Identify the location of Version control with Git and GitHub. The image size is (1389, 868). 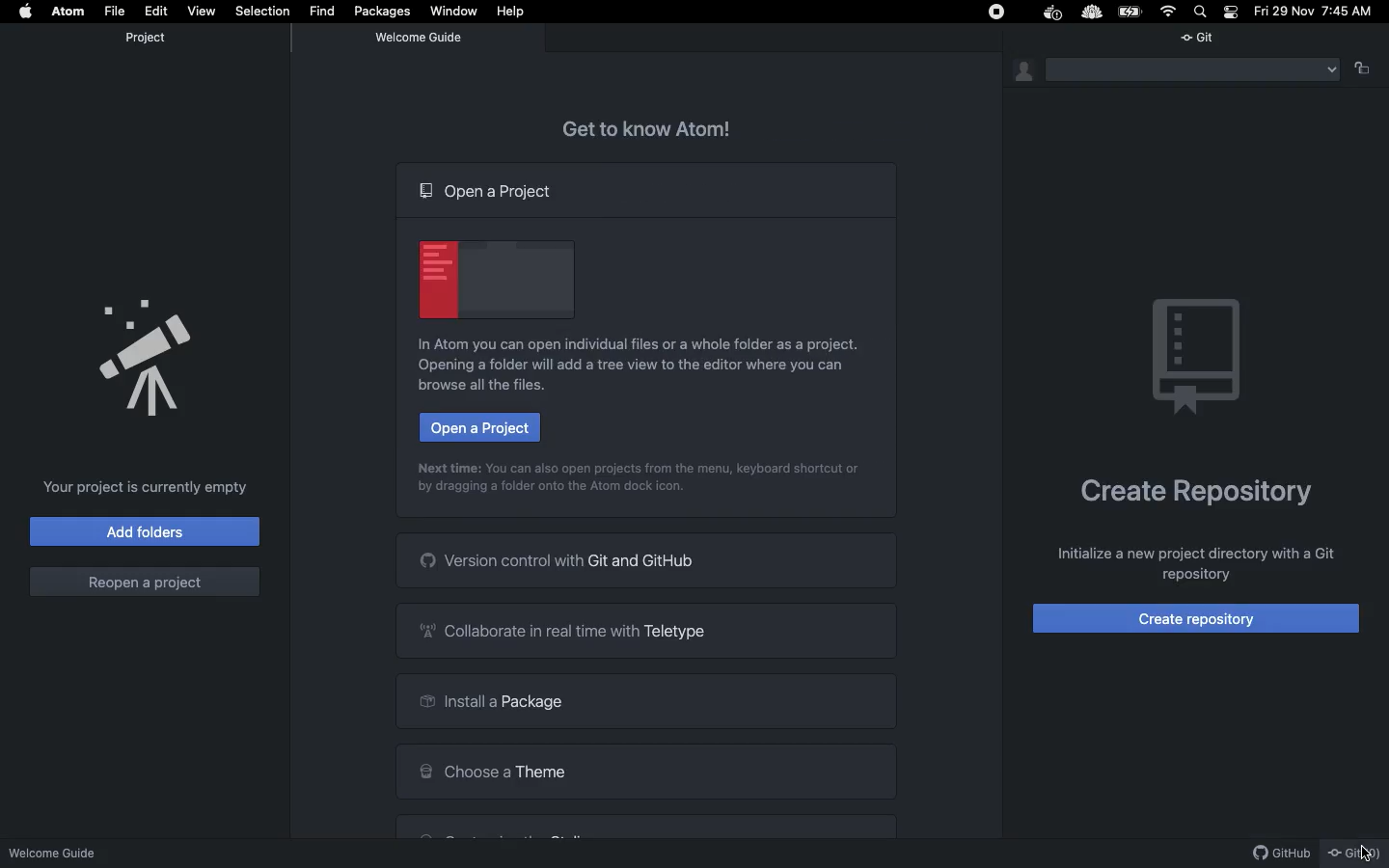
(646, 560).